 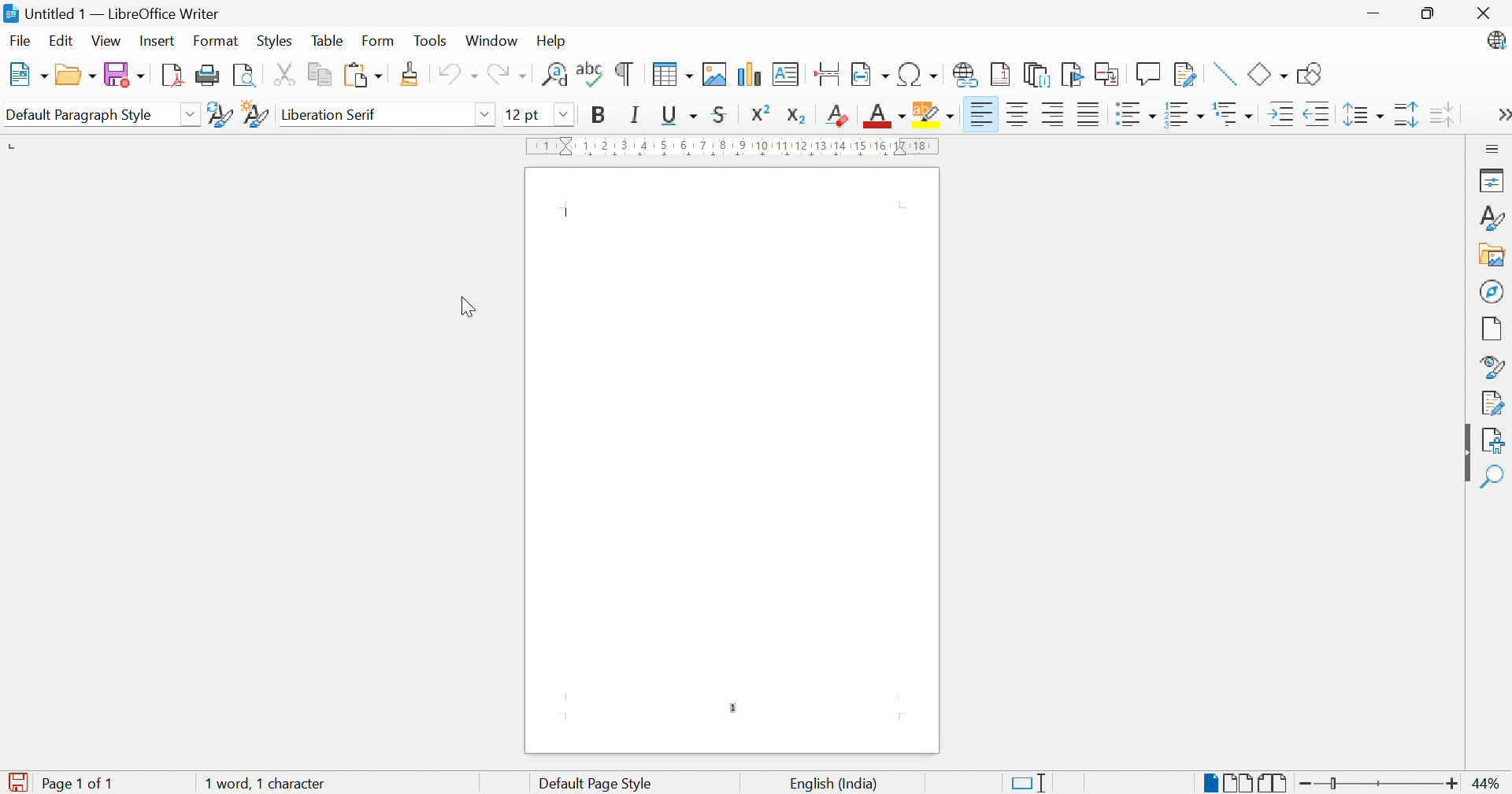 I want to click on Style, so click(x=1491, y=366).